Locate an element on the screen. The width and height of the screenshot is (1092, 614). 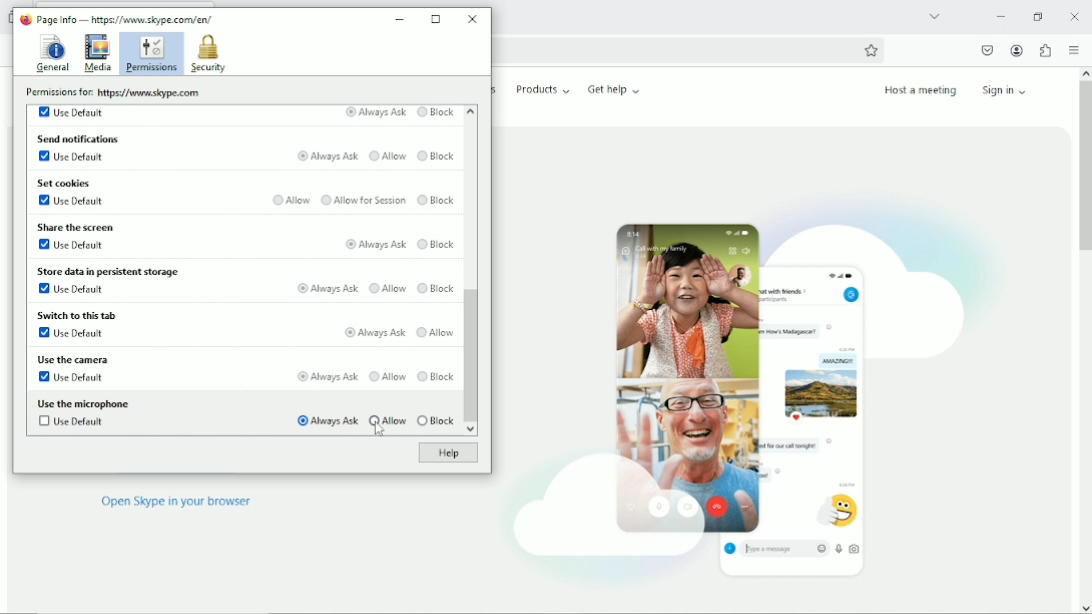
Always Ask is located at coordinates (375, 113).